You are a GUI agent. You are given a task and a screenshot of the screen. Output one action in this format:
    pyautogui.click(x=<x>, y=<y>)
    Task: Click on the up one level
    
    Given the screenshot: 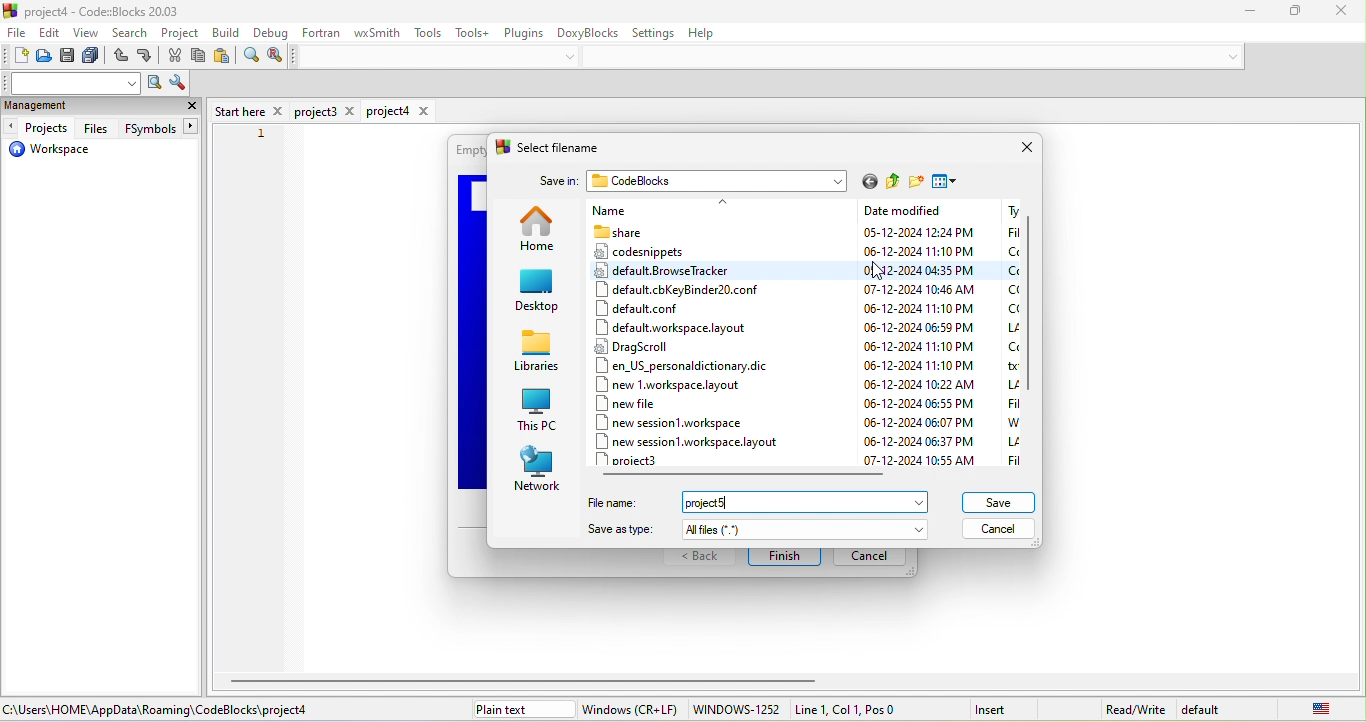 What is the action you would take?
    pyautogui.click(x=888, y=182)
    